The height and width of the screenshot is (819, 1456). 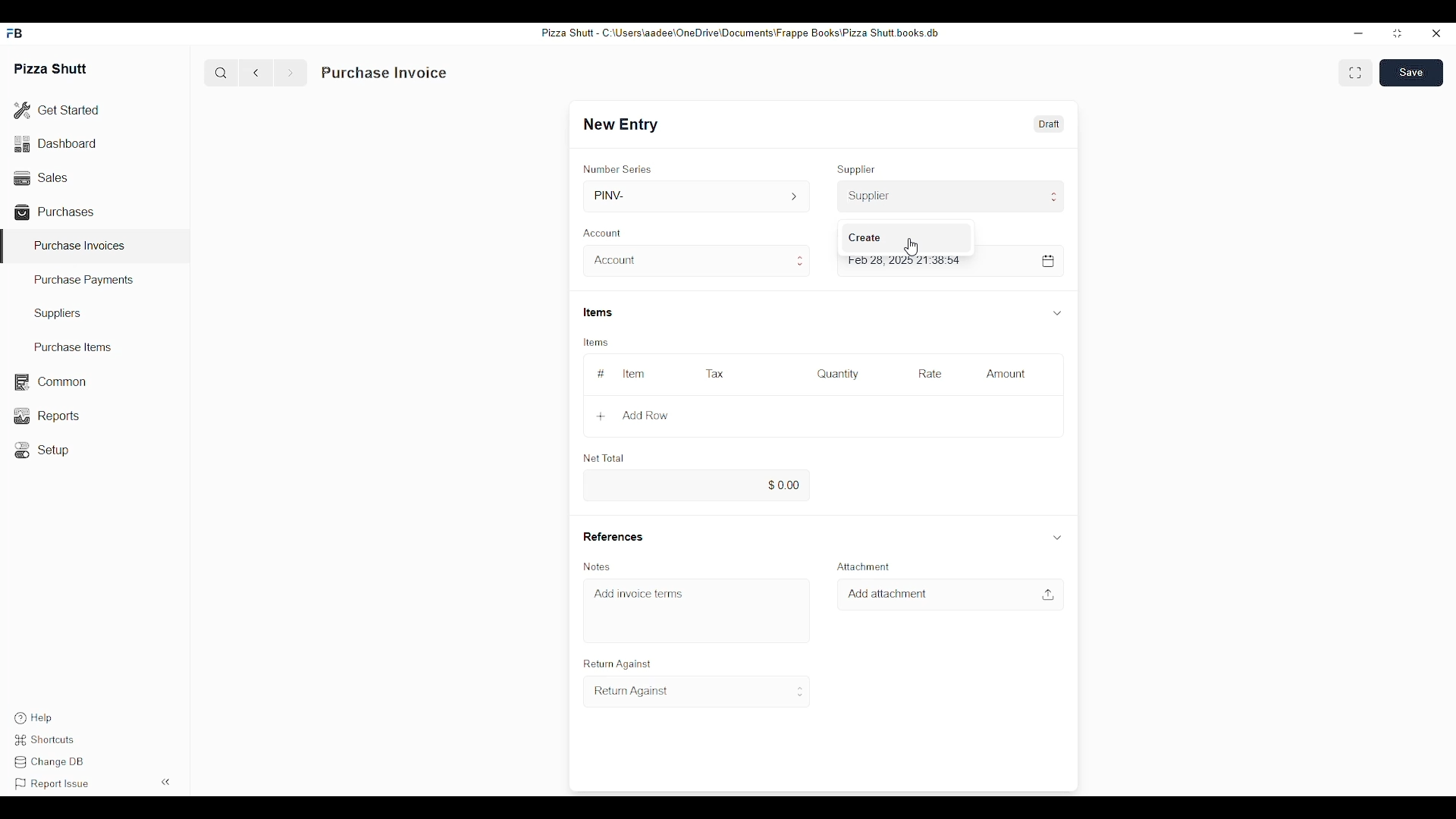 What do you see at coordinates (600, 374) in the screenshot?
I see `#` at bounding box center [600, 374].